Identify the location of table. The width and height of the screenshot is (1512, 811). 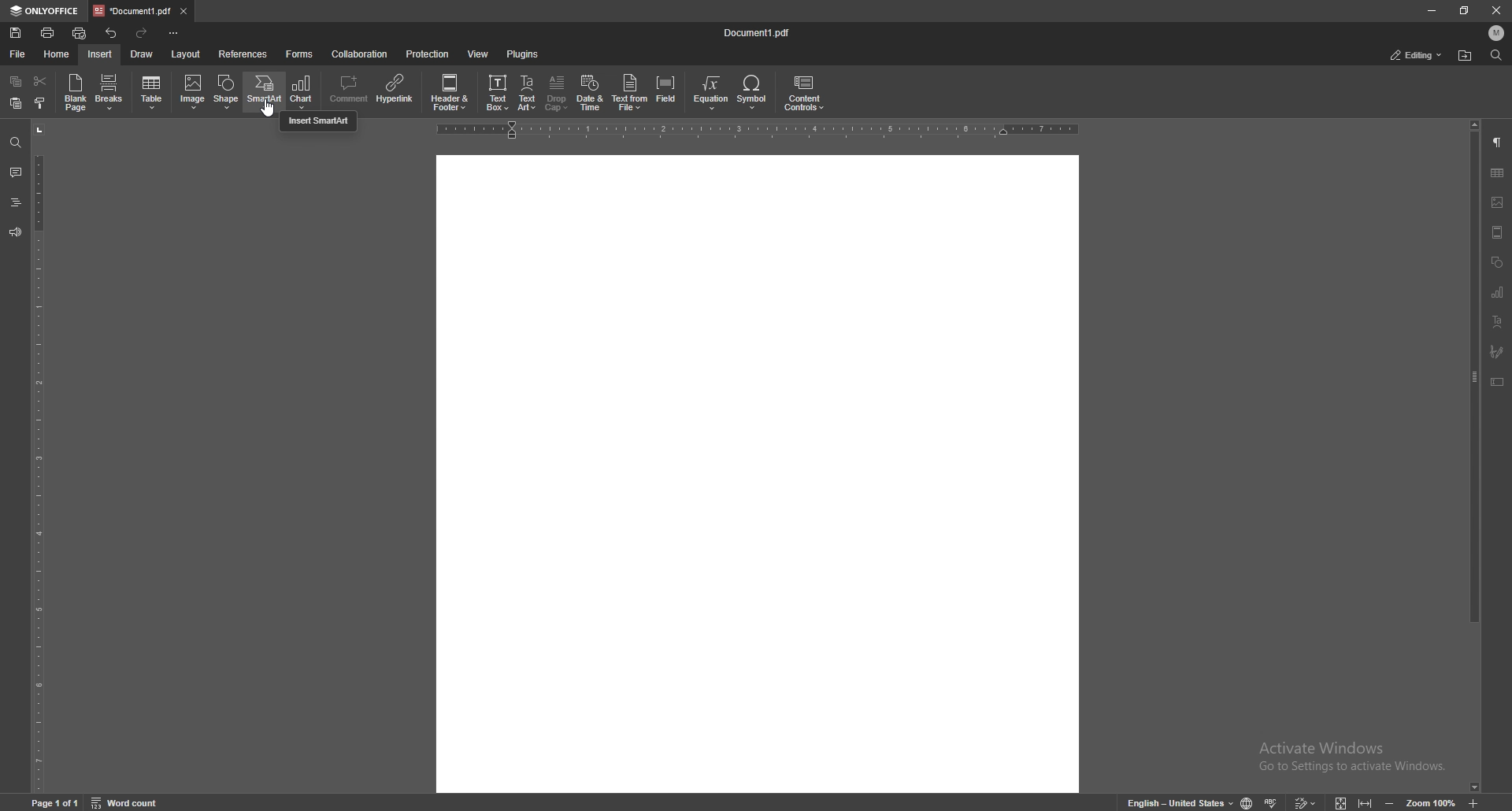
(153, 93).